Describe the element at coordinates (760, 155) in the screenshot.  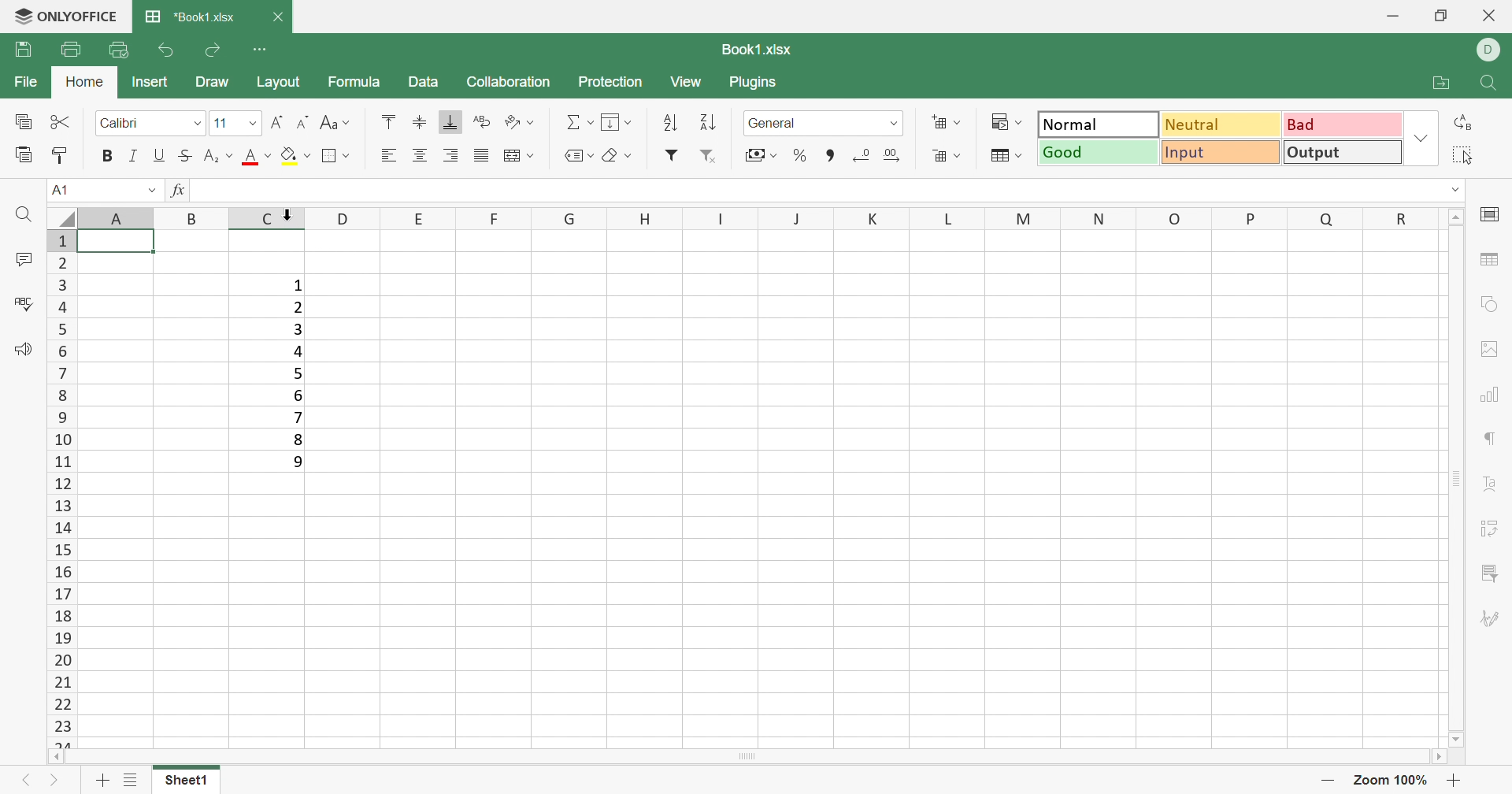
I see `Accounting style` at that location.